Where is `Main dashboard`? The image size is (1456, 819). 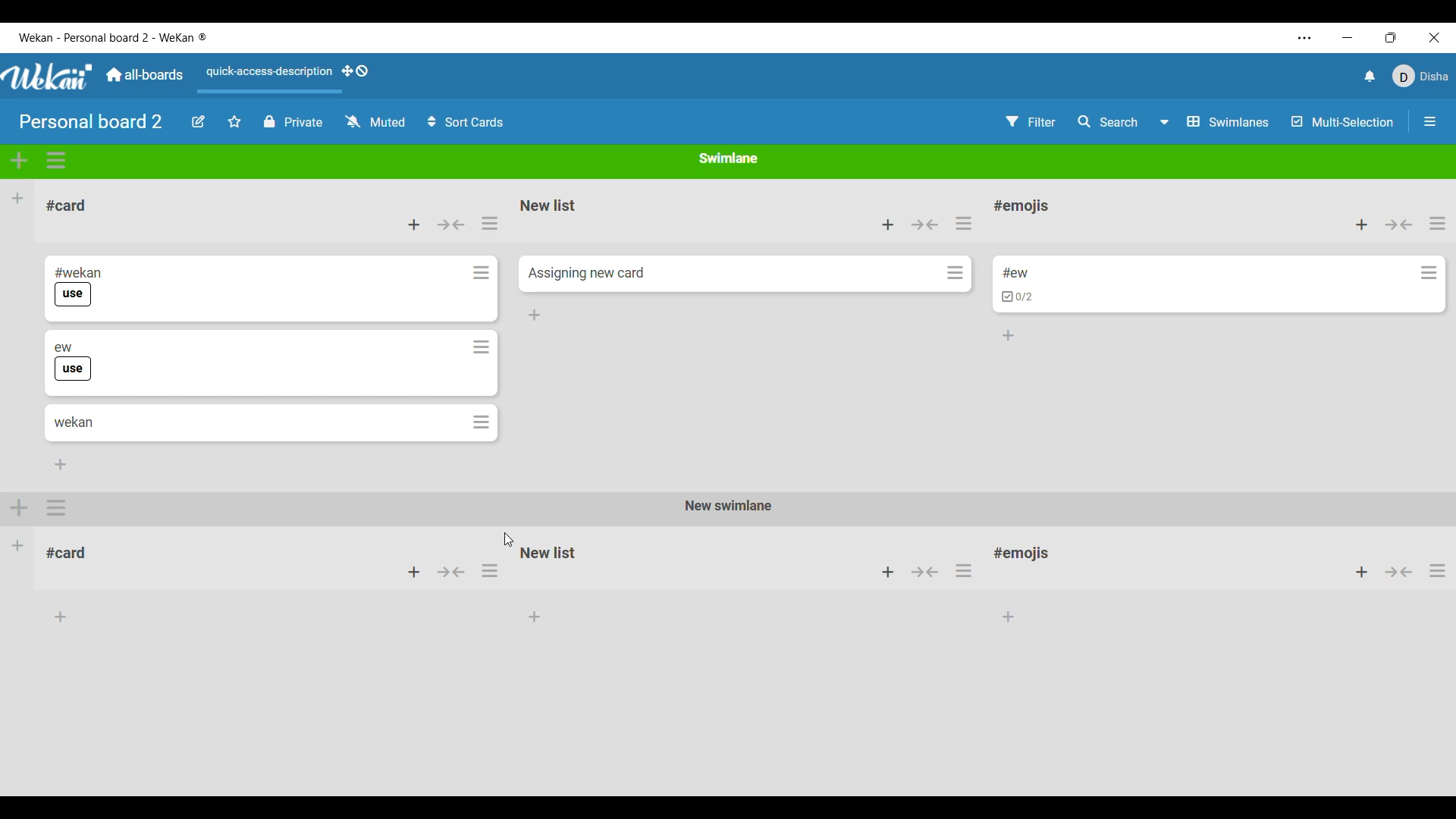
Main dashboard is located at coordinates (143, 74).